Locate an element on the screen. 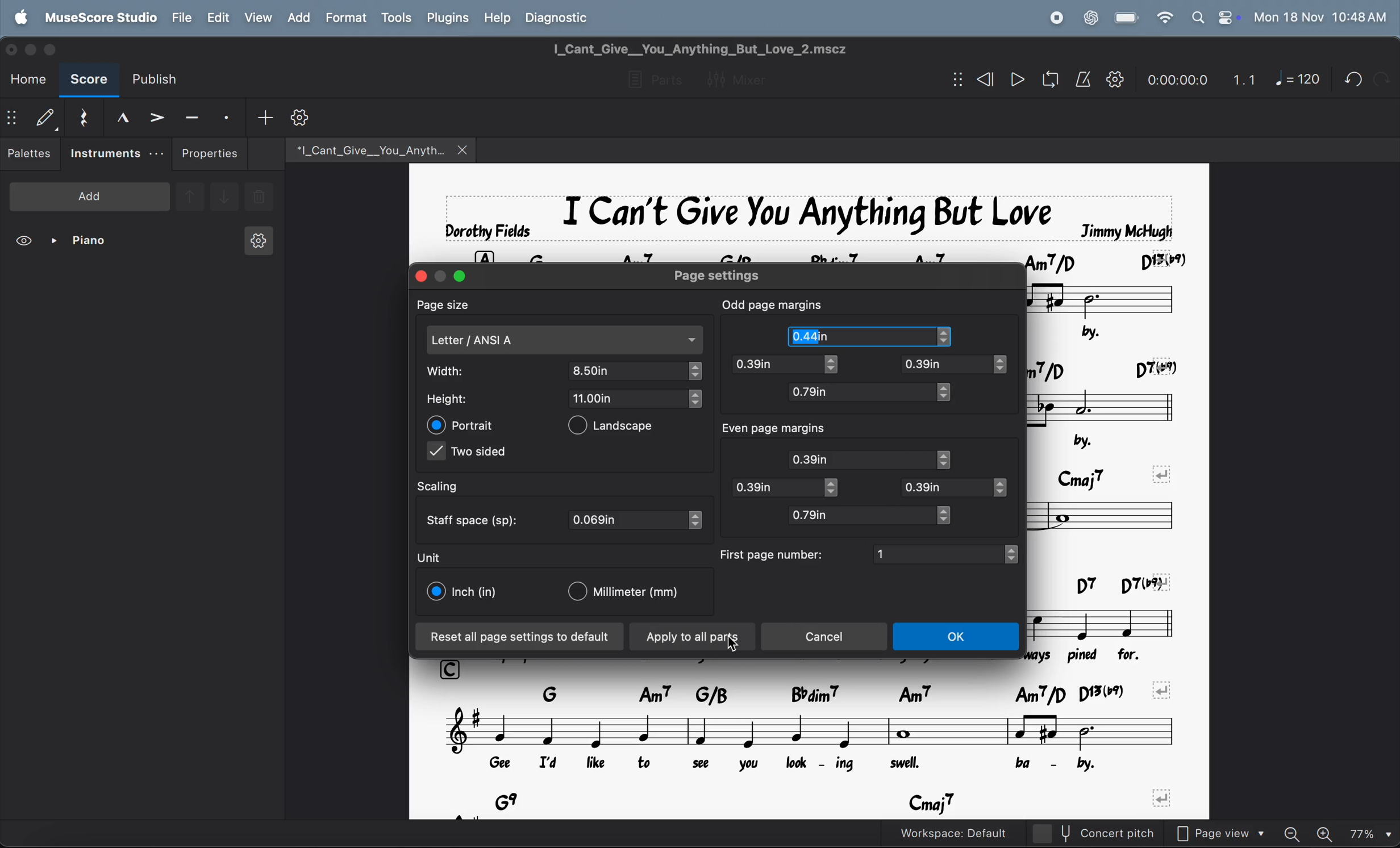 Image resolution: width=1400 pixels, height=848 pixels. notes is located at coordinates (1111, 515).